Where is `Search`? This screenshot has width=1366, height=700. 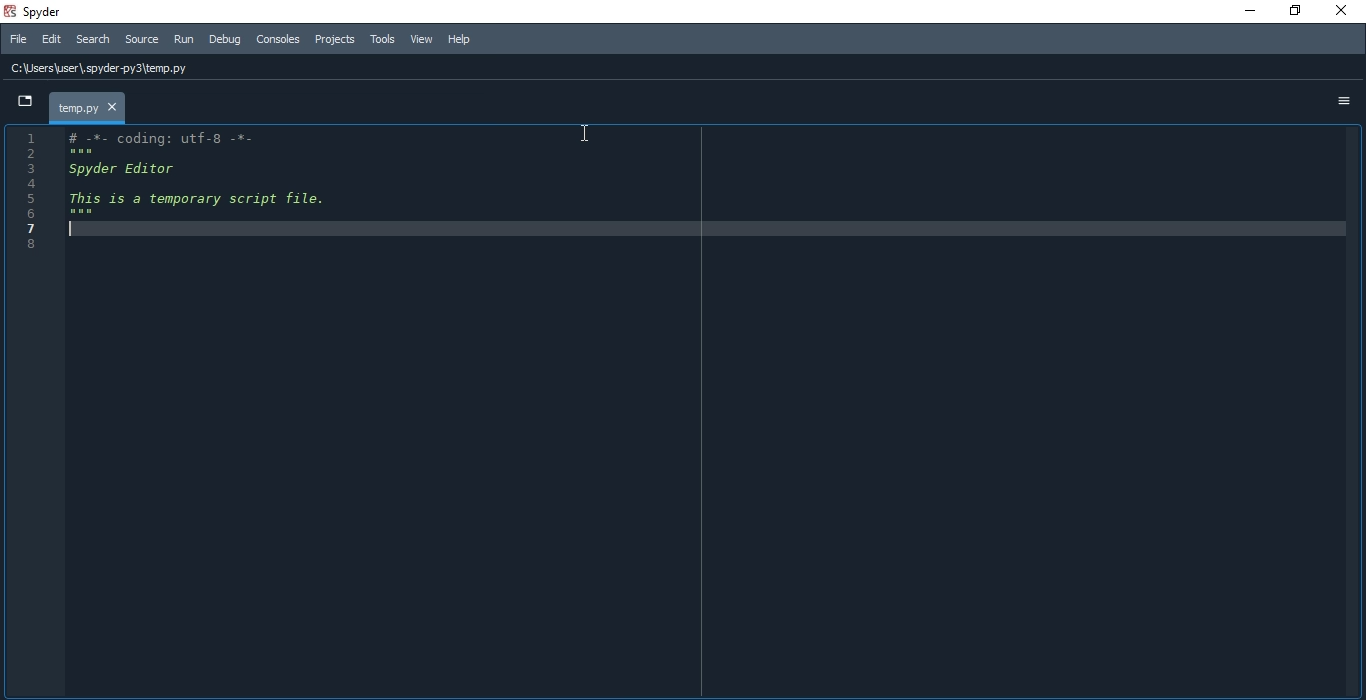 Search is located at coordinates (93, 39).